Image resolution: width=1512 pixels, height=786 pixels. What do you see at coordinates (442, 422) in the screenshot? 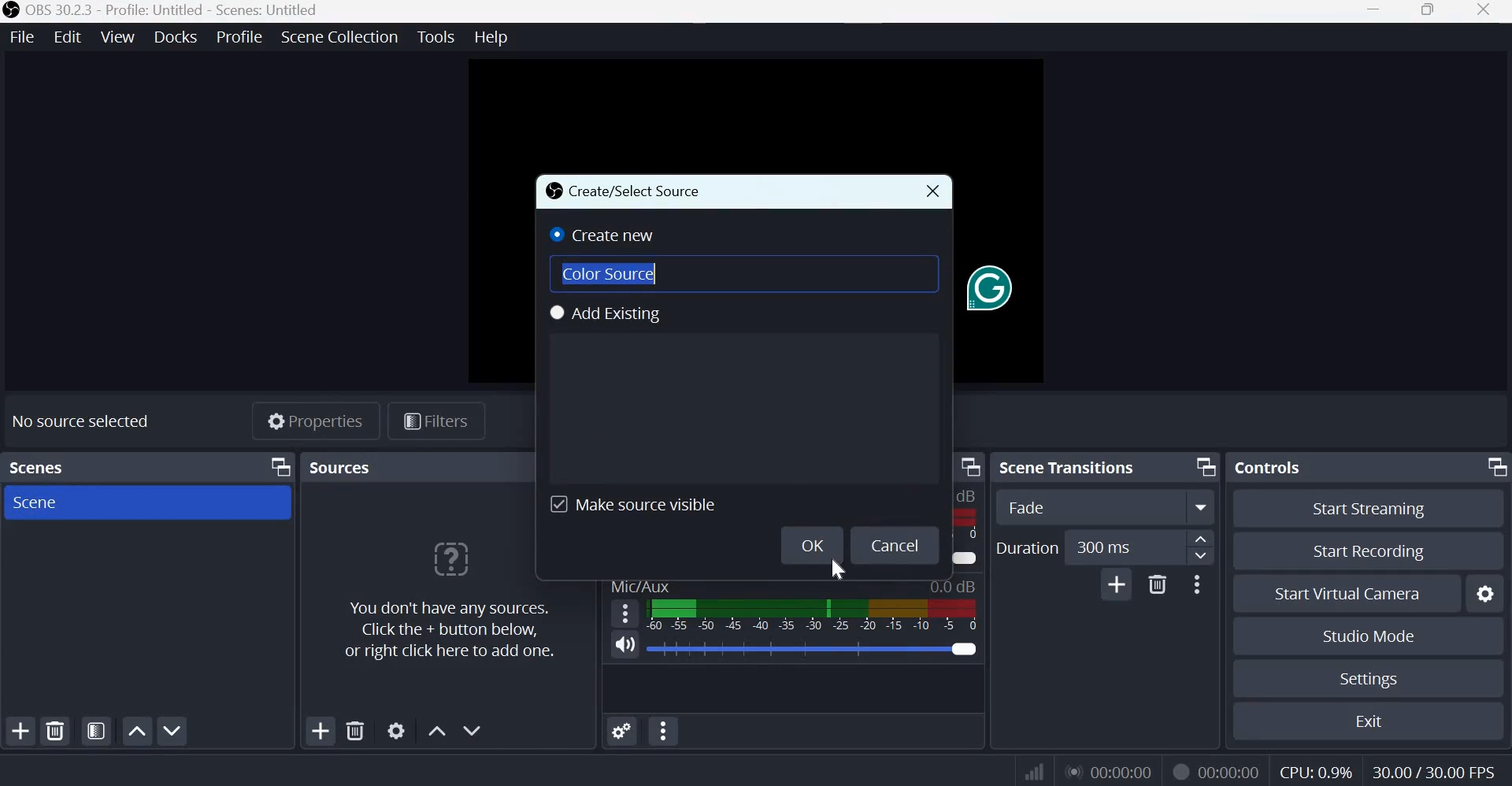
I see `Filters` at bounding box center [442, 422].